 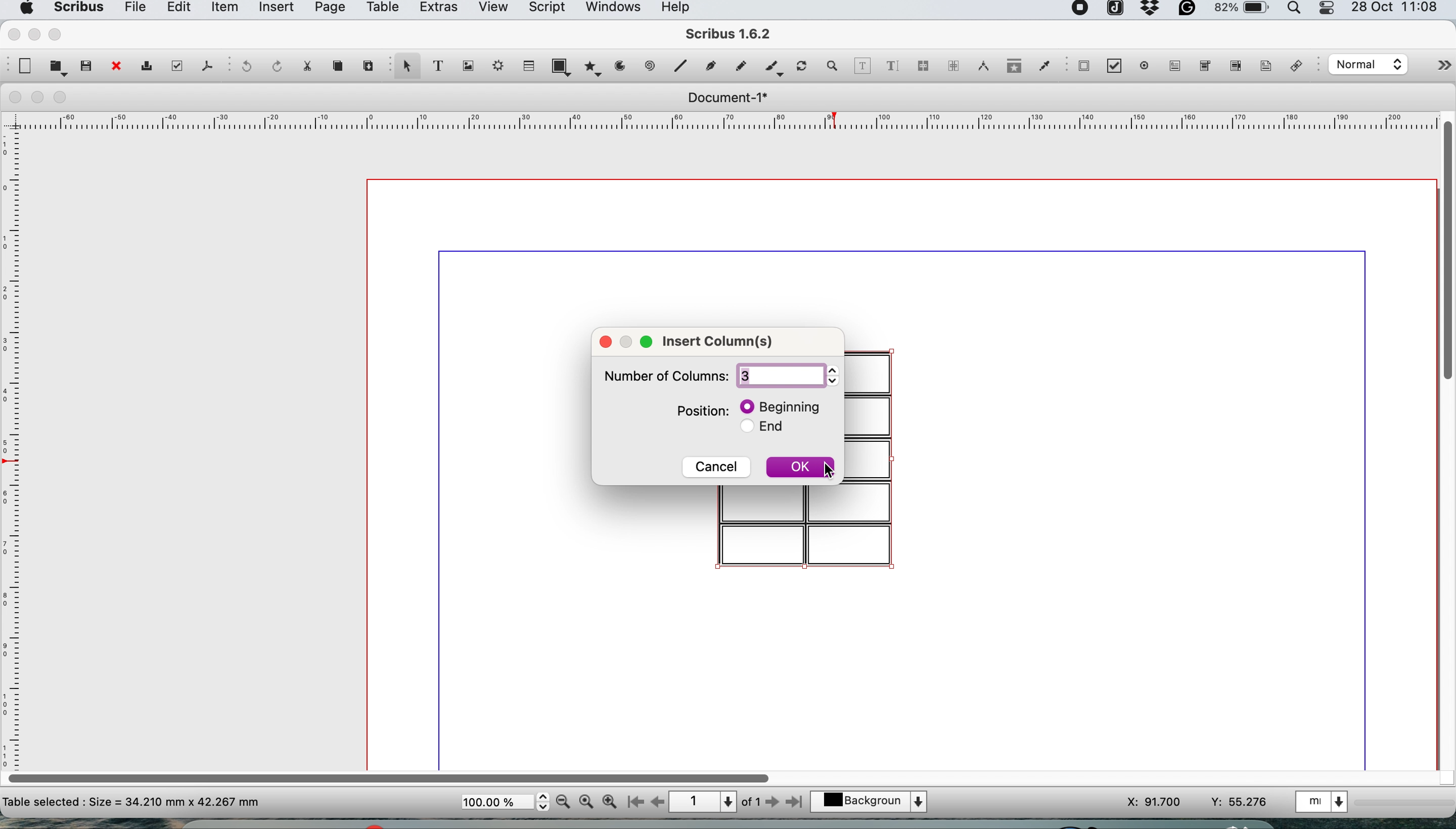 What do you see at coordinates (206, 65) in the screenshot?
I see `save as pdf` at bounding box center [206, 65].